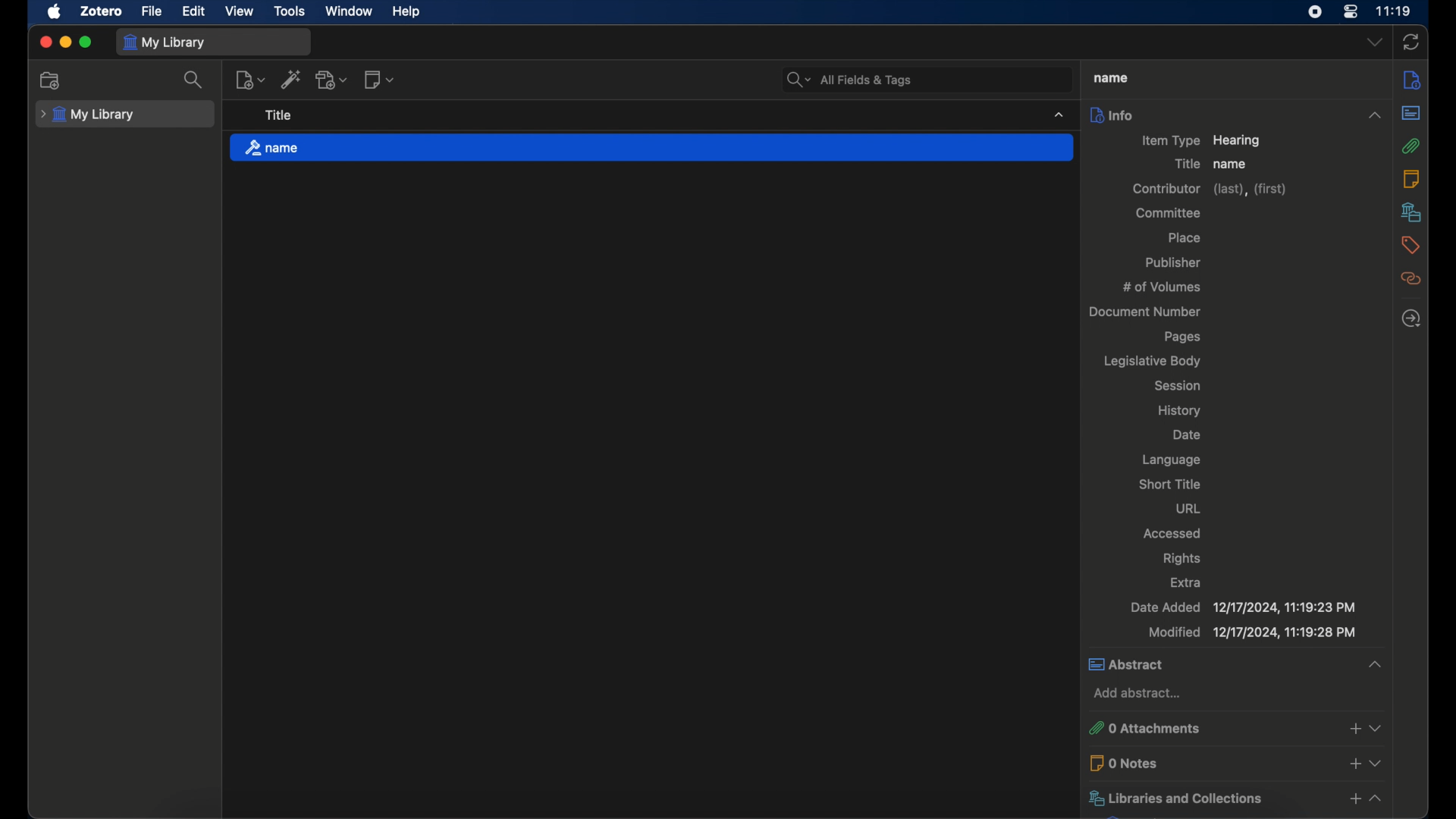 This screenshot has width=1456, height=819. I want to click on search, so click(196, 80).